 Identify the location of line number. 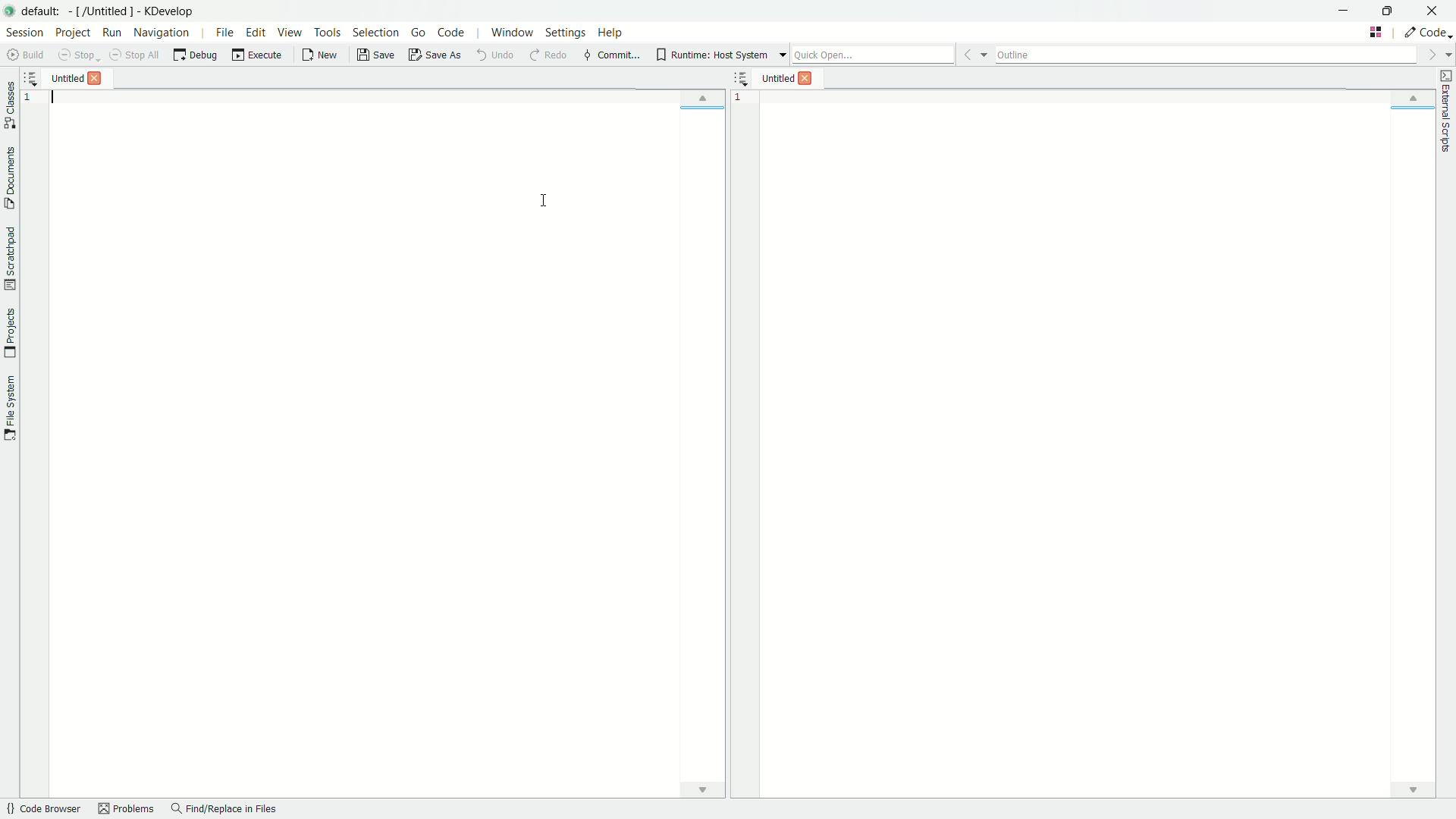
(36, 110).